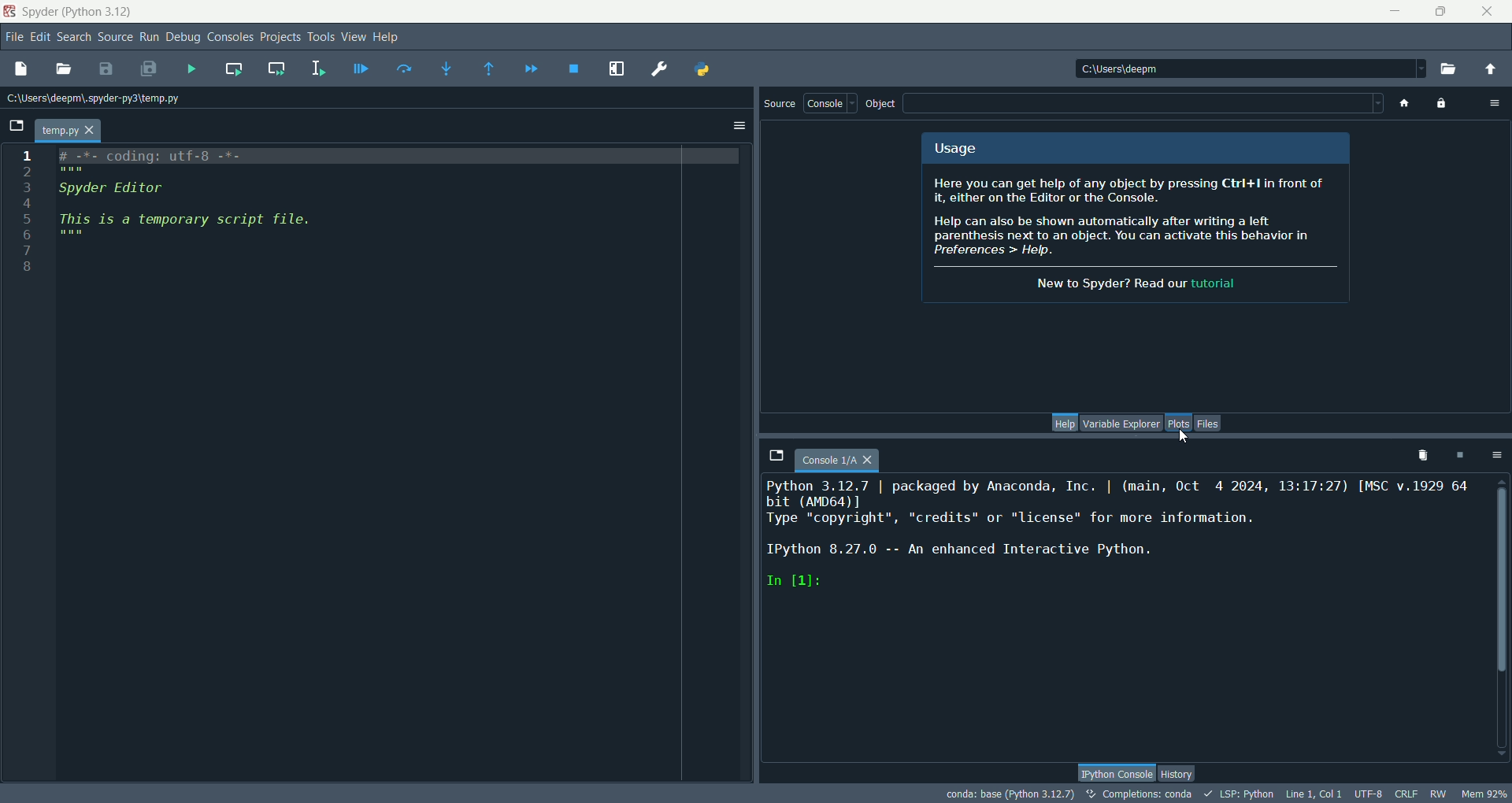 The width and height of the screenshot is (1512, 803). What do you see at coordinates (1369, 795) in the screenshot?
I see `UTF` at bounding box center [1369, 795].